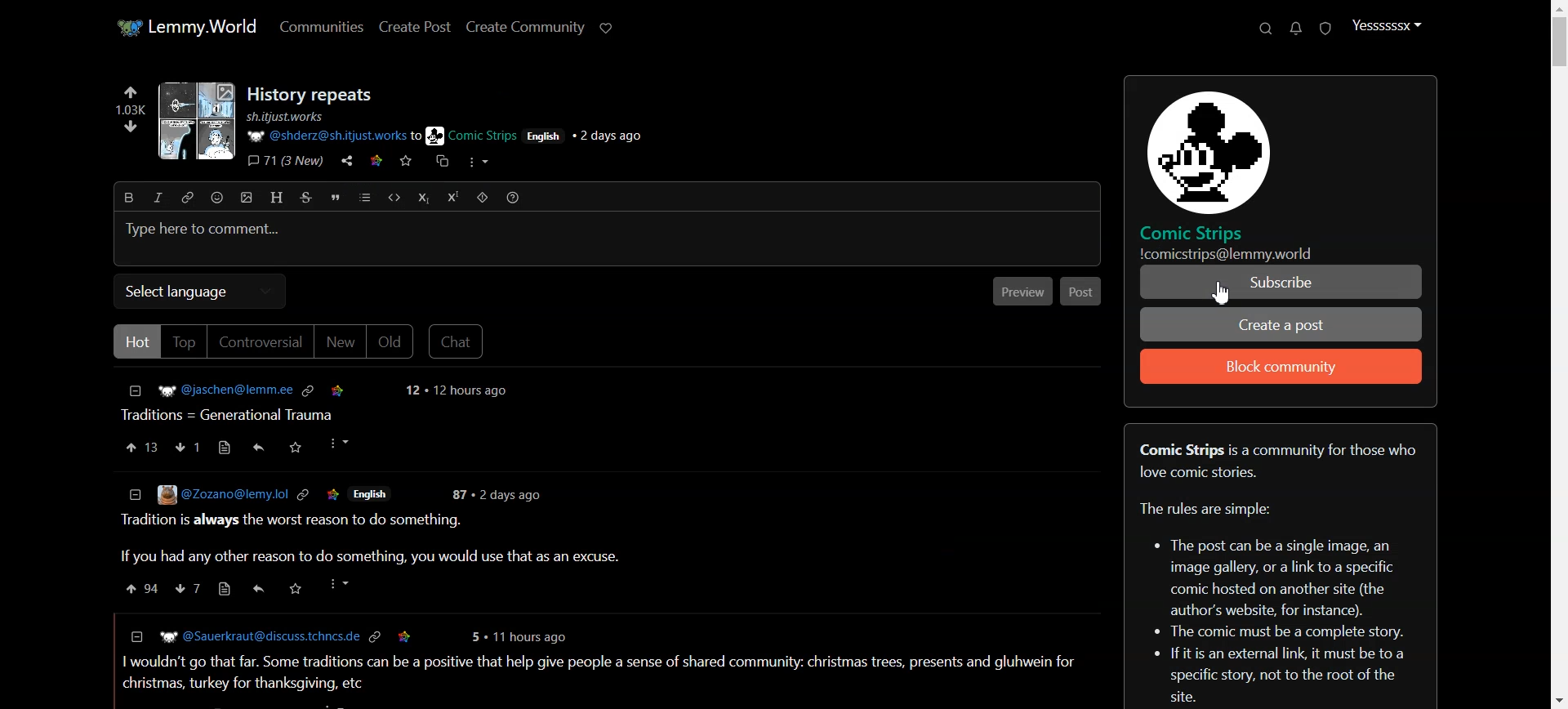 This screenshot has height=709, width=1568. Describe the element at coordinates (1202, 148) in the screenshot. I see `Community logo` at that location.